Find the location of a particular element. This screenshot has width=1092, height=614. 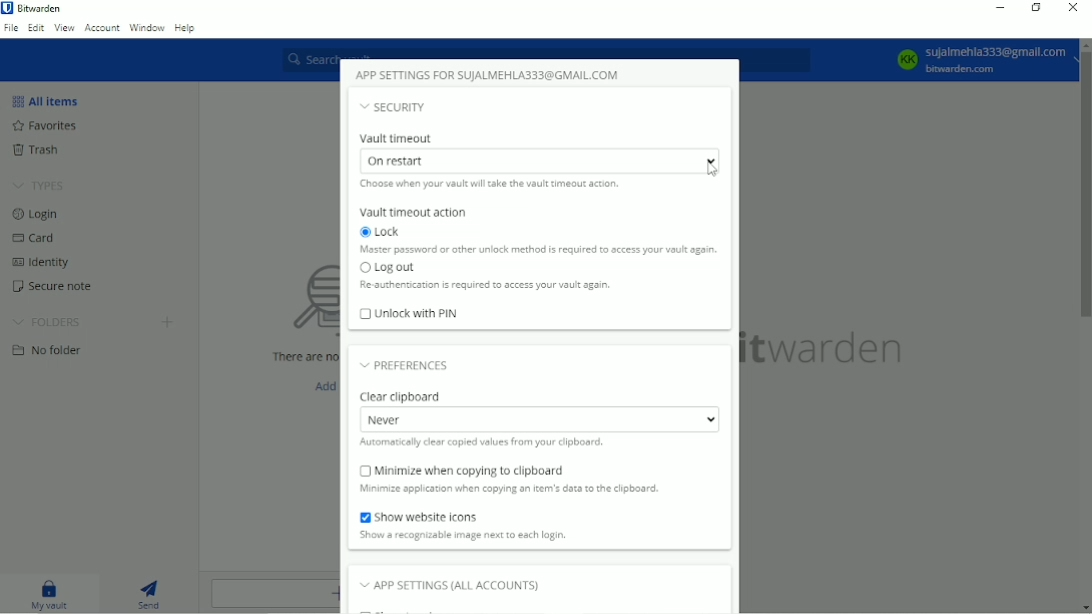

There are no items to list is located at coordinates (296, 357).